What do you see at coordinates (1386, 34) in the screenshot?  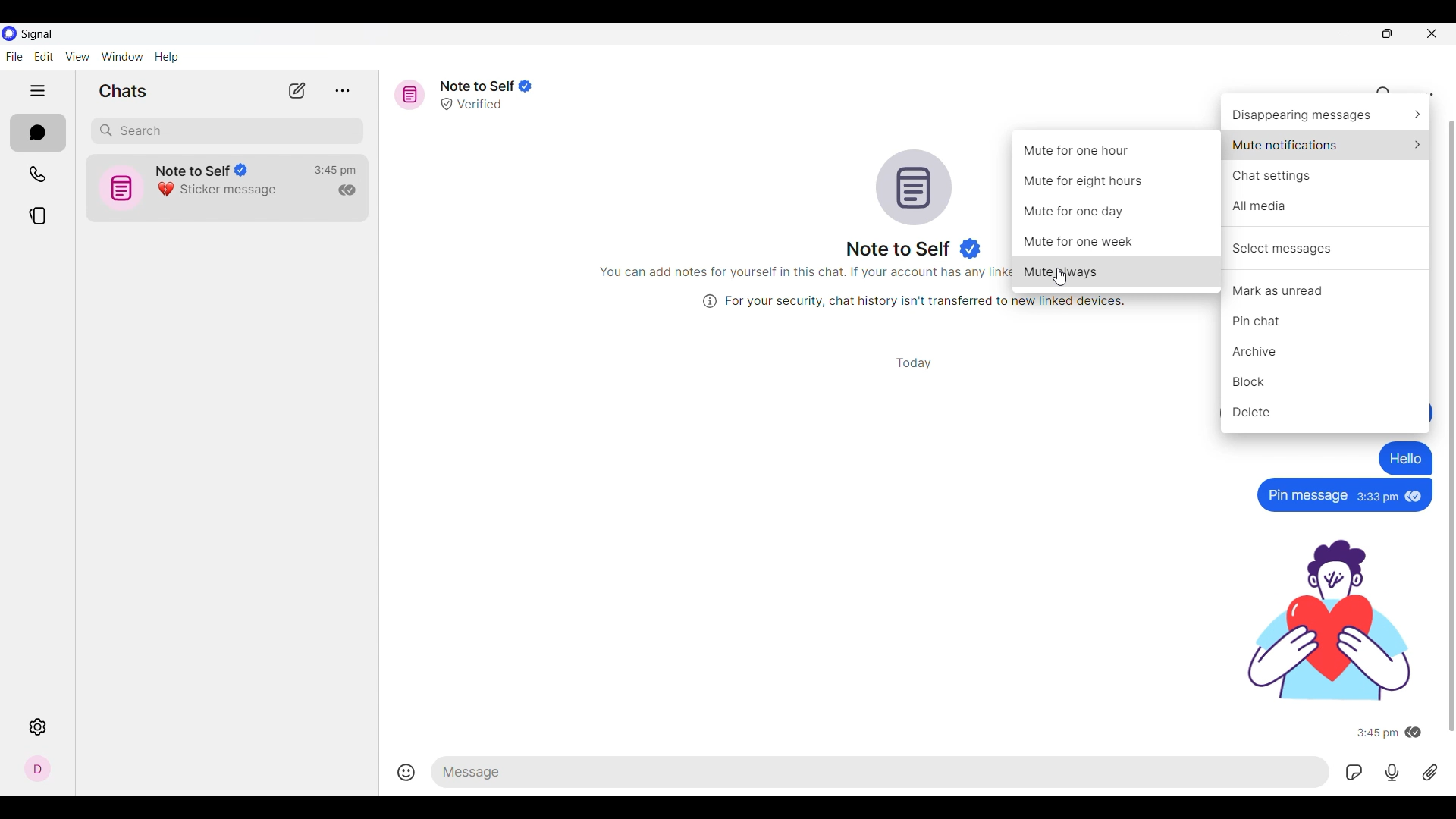 I see `Show interface in smaller tab` at bounding box center [1386, 34].